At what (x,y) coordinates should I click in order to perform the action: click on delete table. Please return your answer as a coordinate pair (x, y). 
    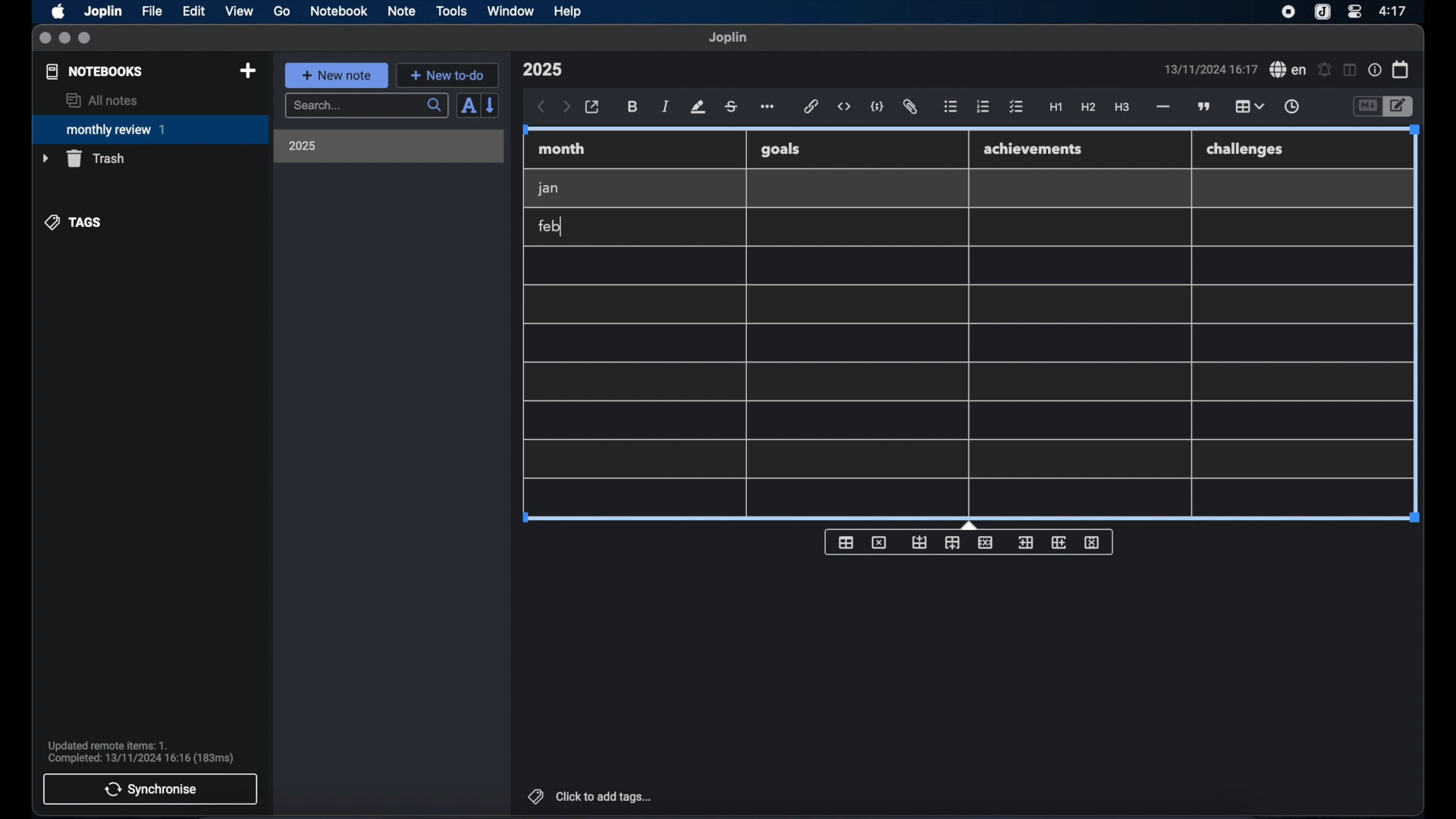
    Looking at the image, I should click on (879, 543).